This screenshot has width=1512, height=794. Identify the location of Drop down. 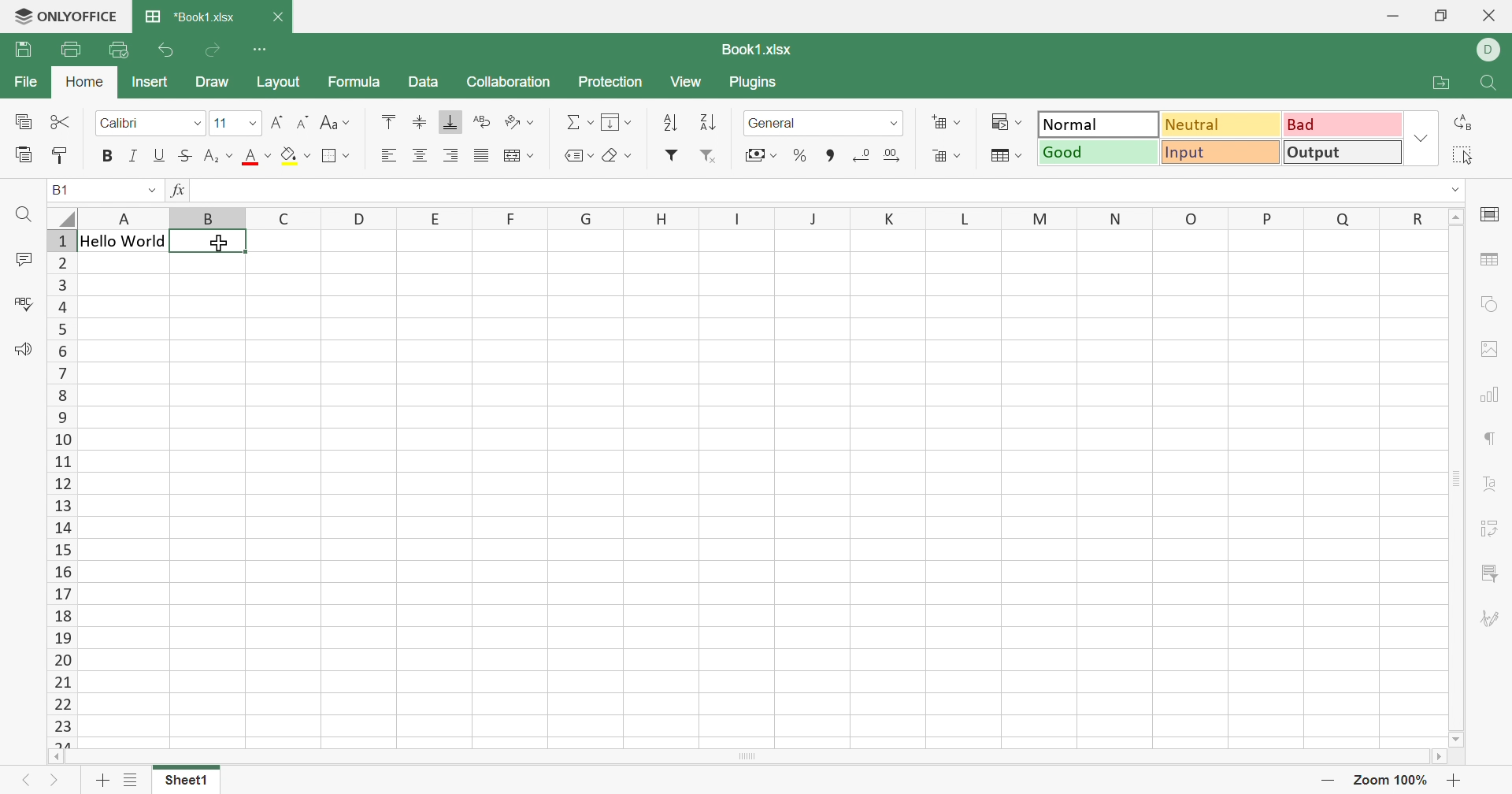
(154, 192).